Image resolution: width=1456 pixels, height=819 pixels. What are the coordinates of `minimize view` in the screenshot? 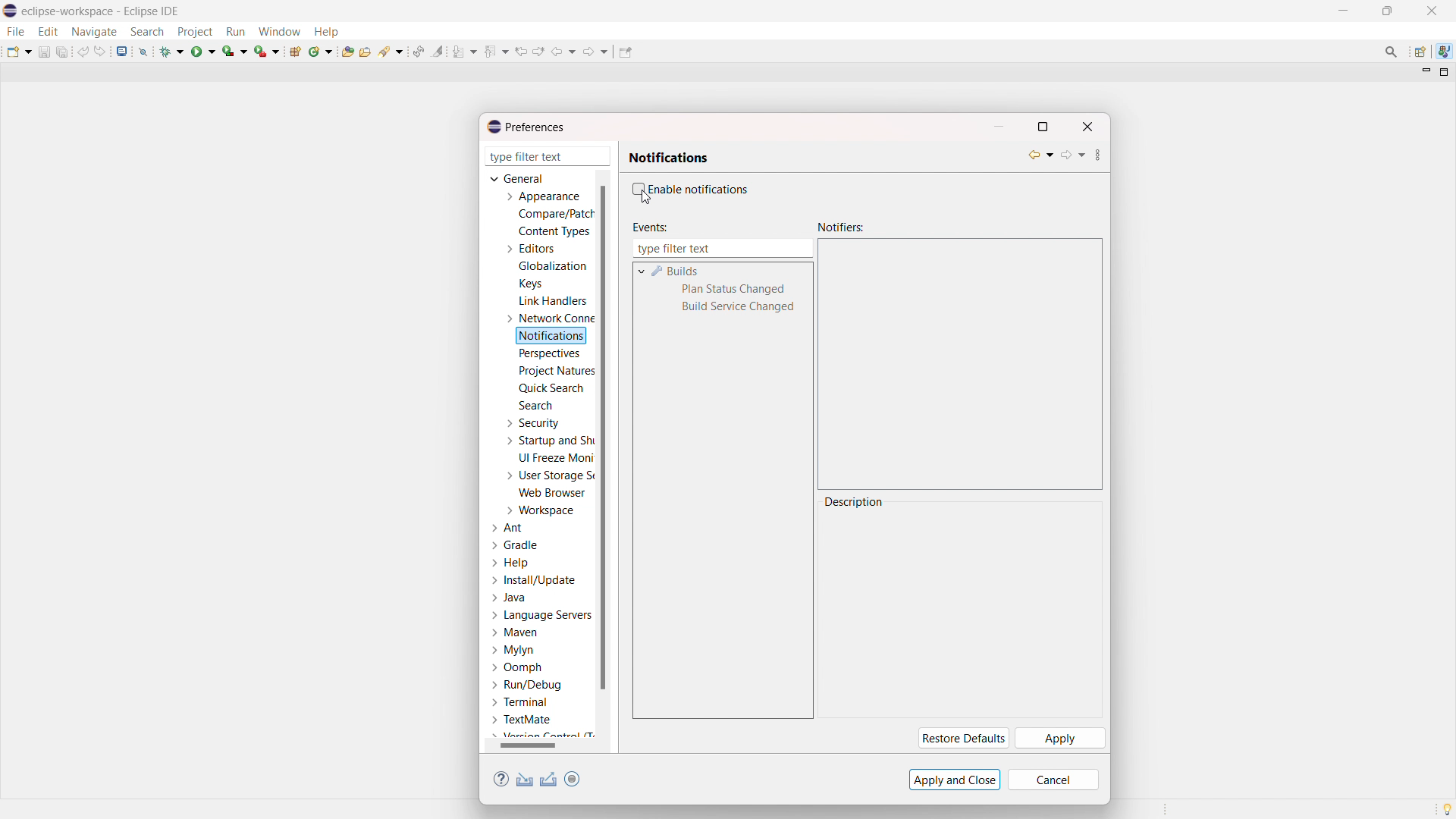 It's located at (1424, 71).